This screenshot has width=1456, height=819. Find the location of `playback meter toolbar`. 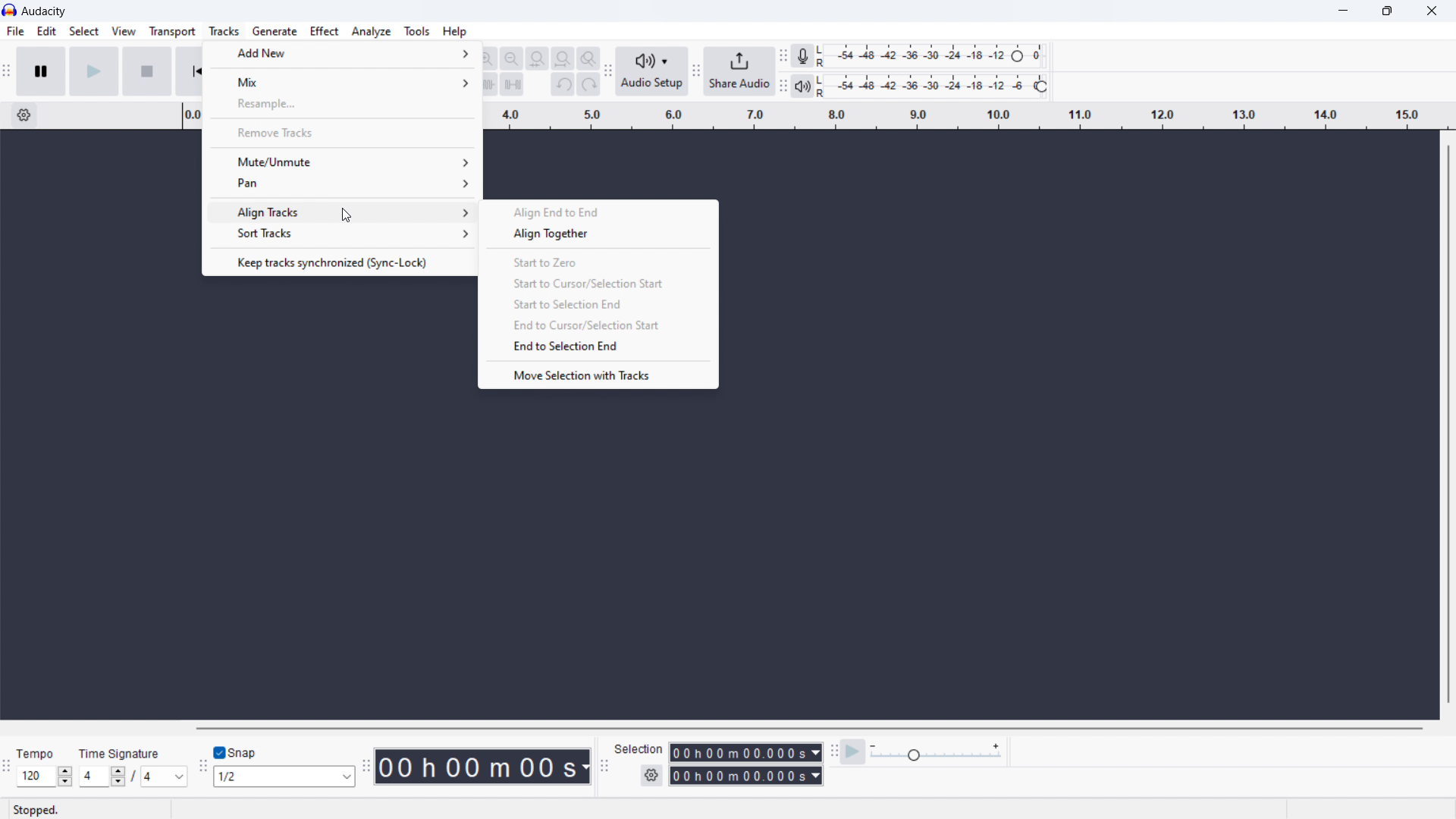

playback meter toolbar is located at coordinates (783, 86).